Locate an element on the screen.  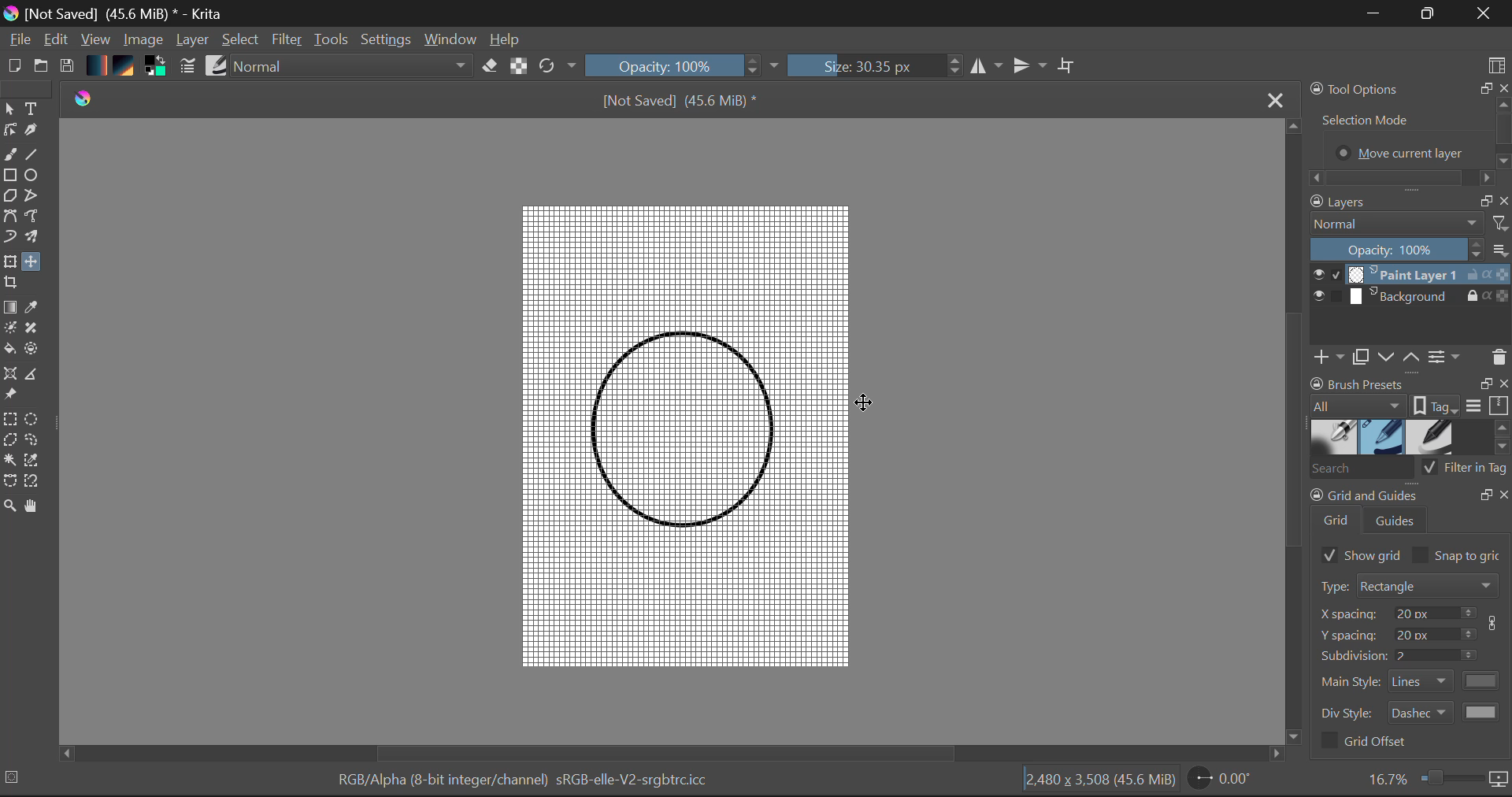
Layer Opacity  is located at coordinates (1410, 250).